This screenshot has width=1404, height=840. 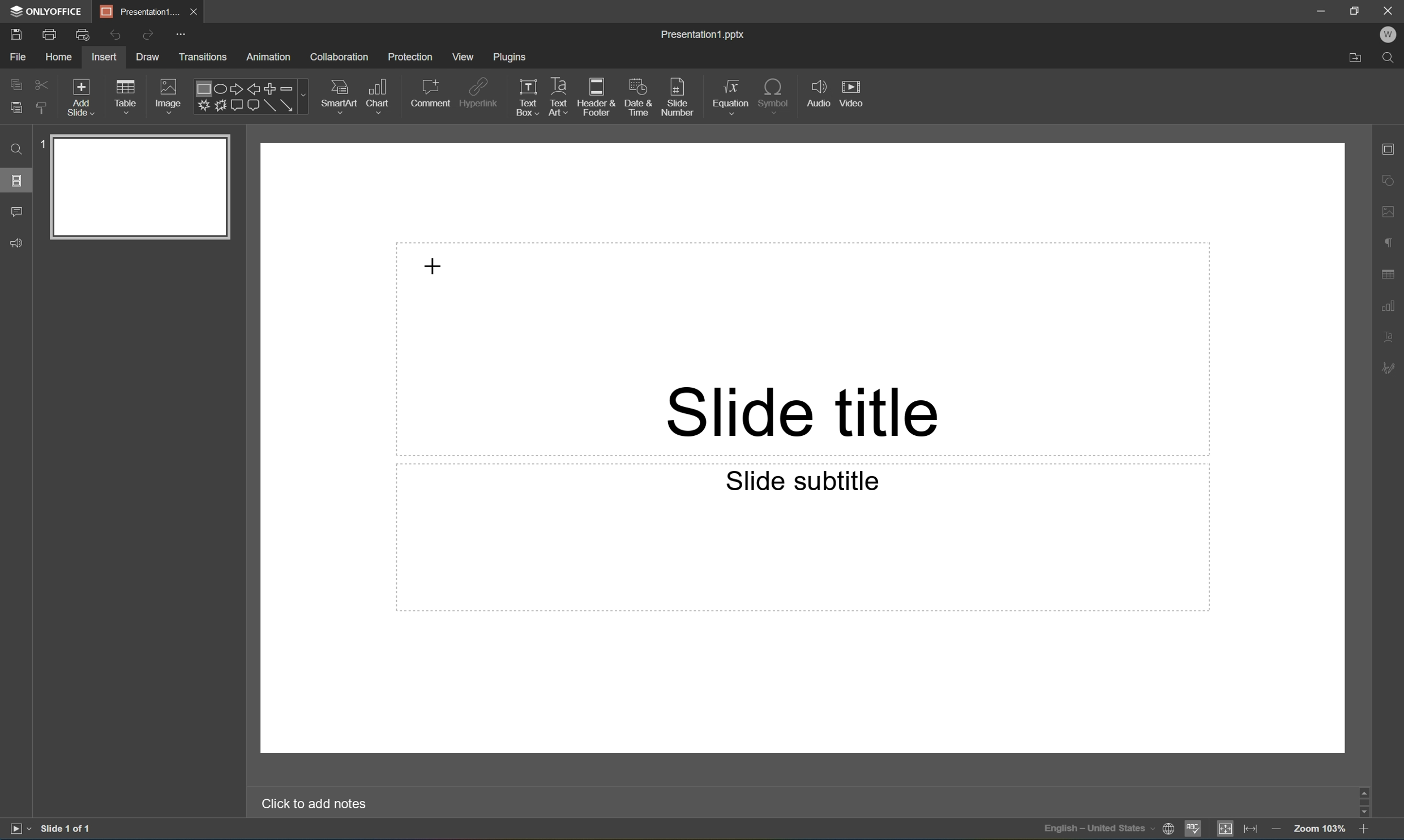 I want to click on File, so click(x=18, y=57).